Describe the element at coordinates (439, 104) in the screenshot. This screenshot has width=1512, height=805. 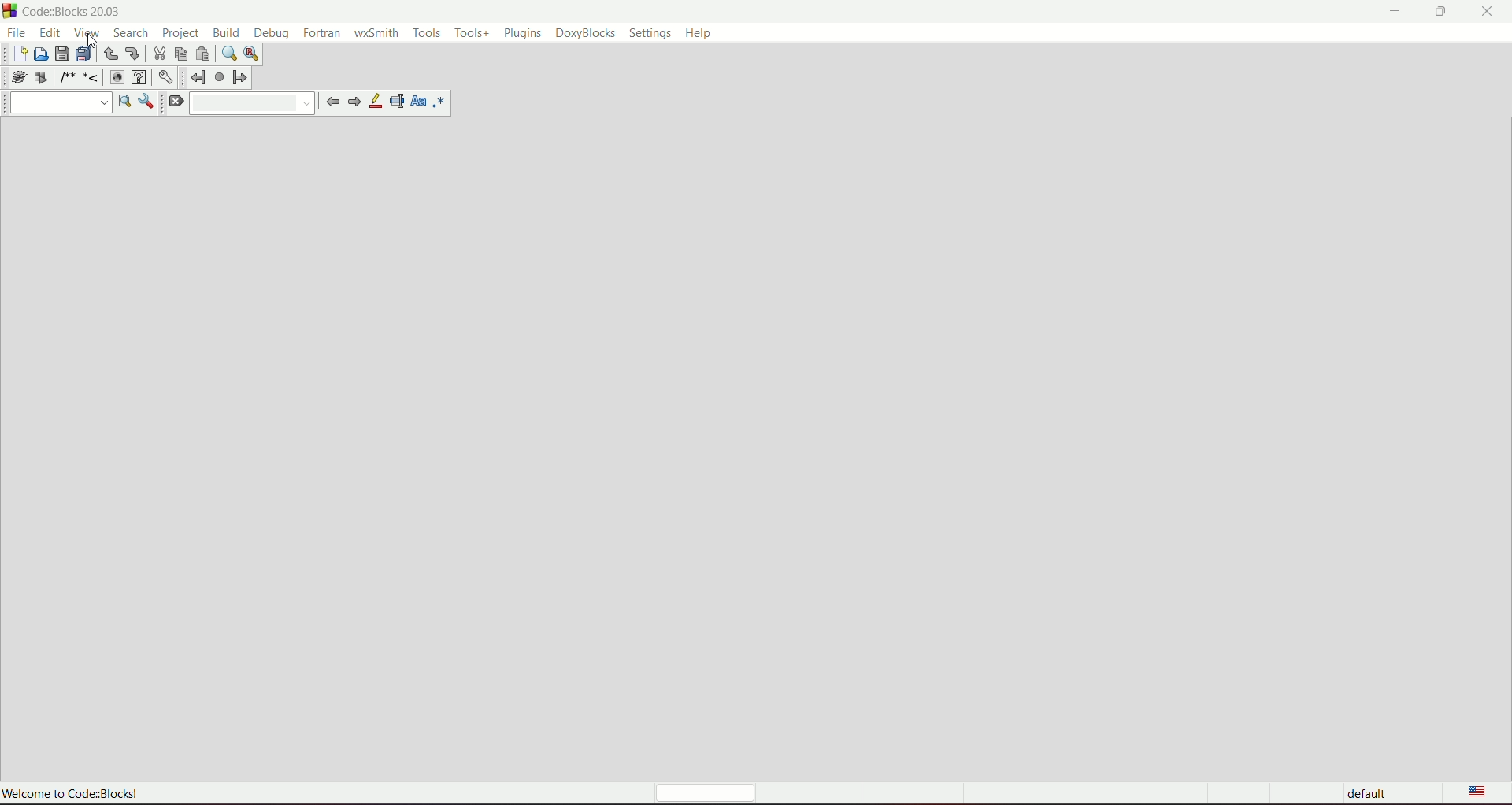
I see `use regex` at that location.